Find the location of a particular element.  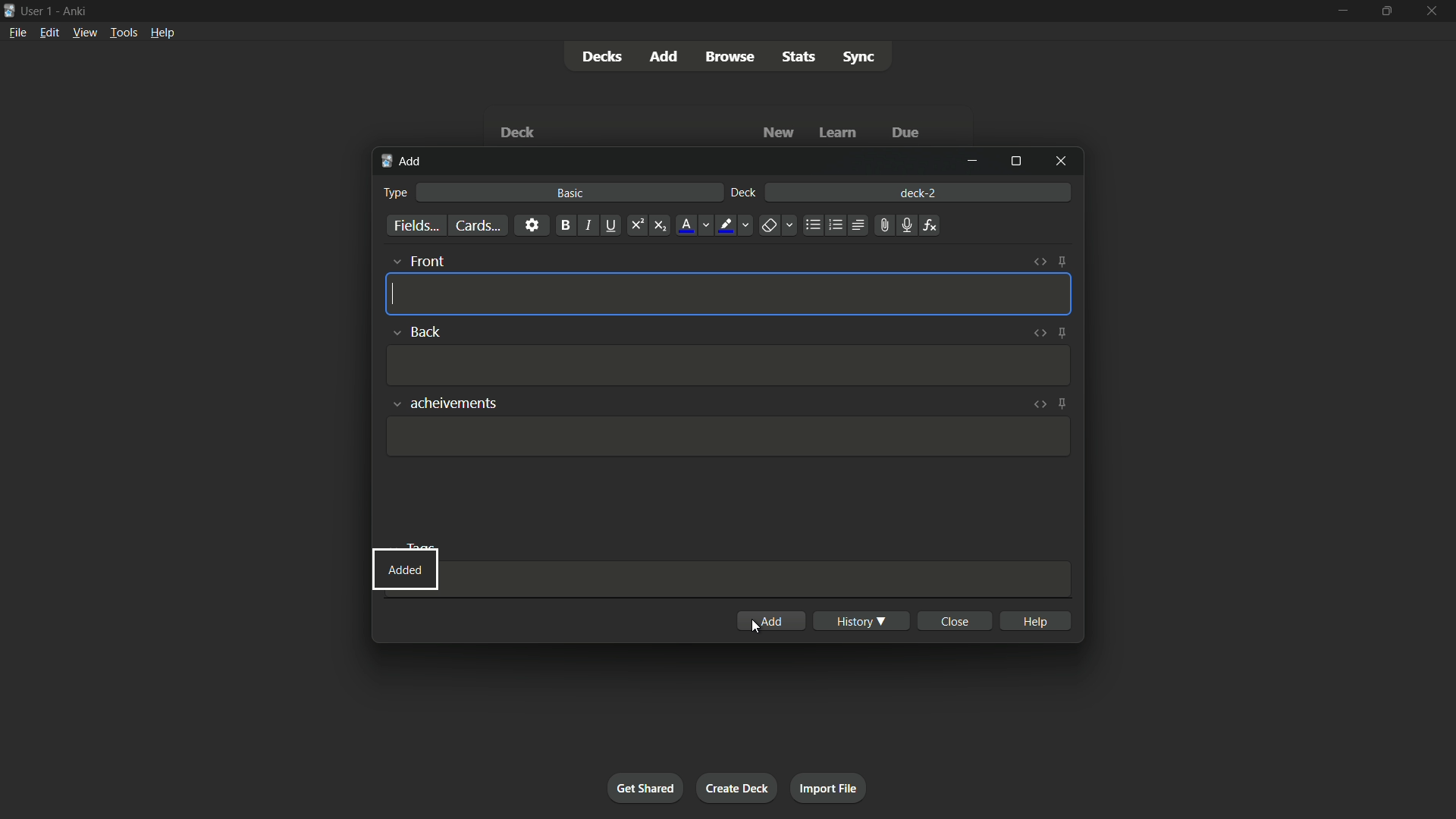

toggle sticky is located at coordinates (1060, 333).